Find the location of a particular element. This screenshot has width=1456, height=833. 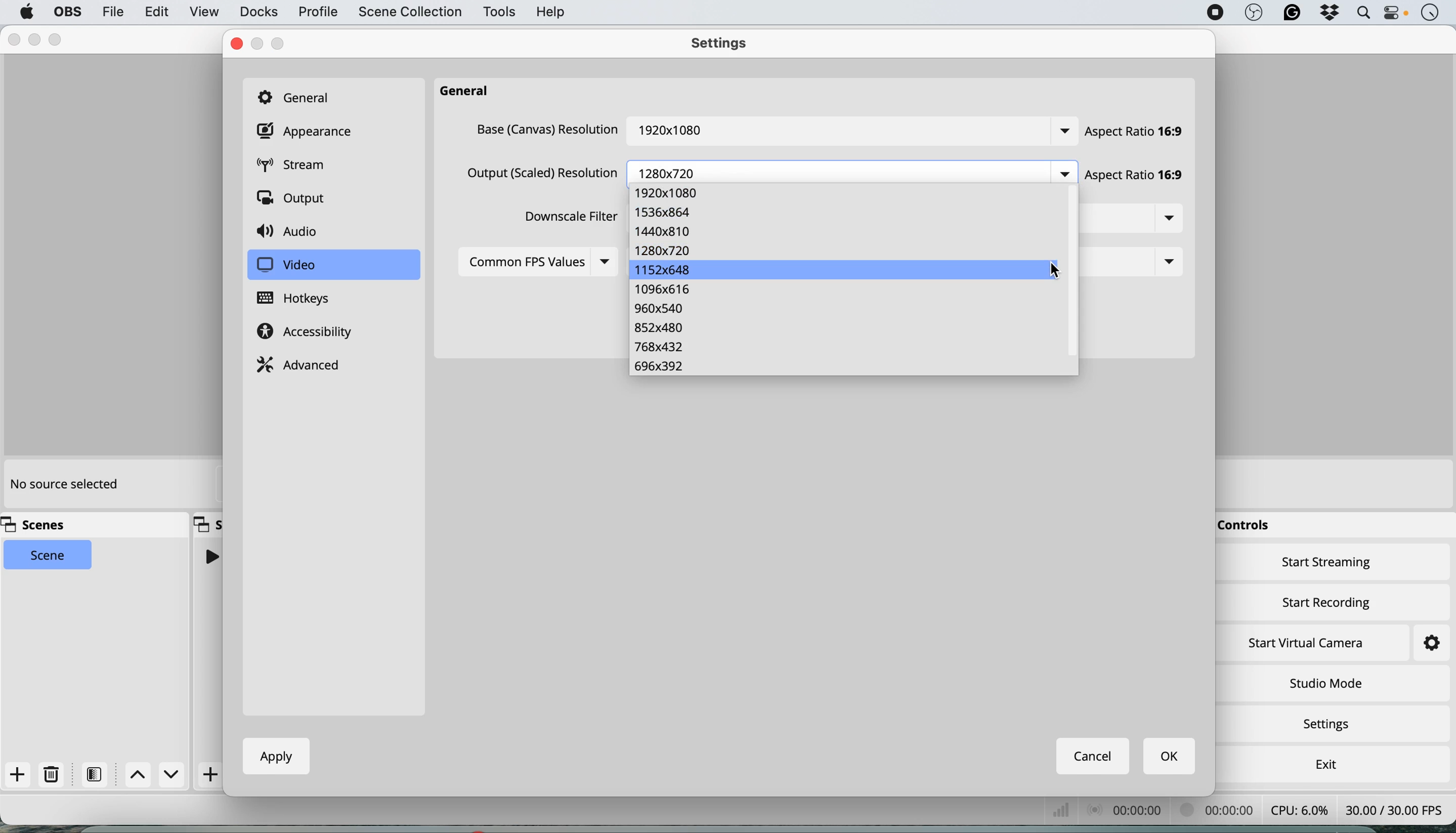

video recording timestamp is located at coordinates (1143, 812).